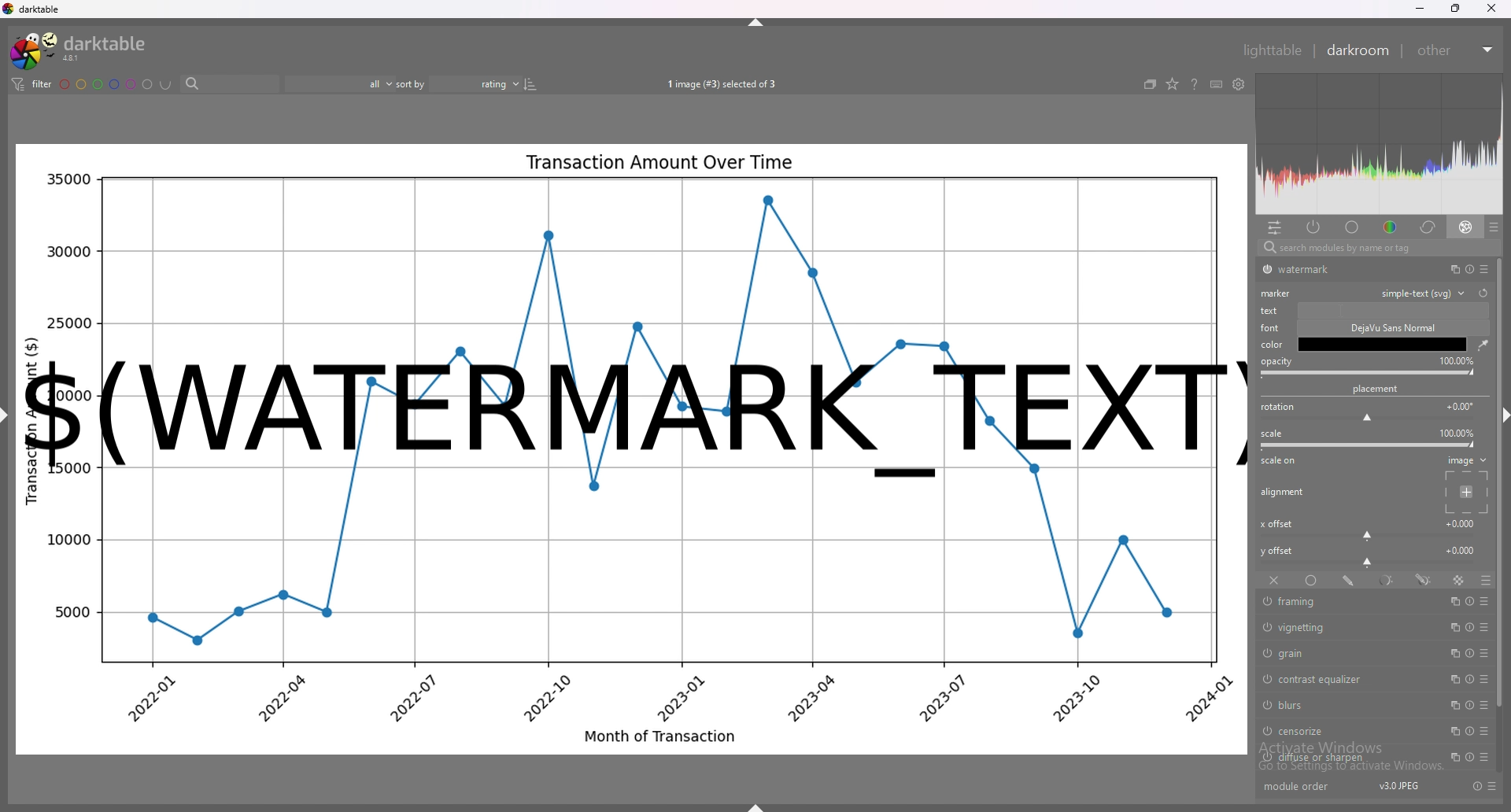 This screenshot has width=1511, height=812. What do you see at coordinates (1494, 227) in the screenshot?
I see `presets` at bounding box center [1494, 227].